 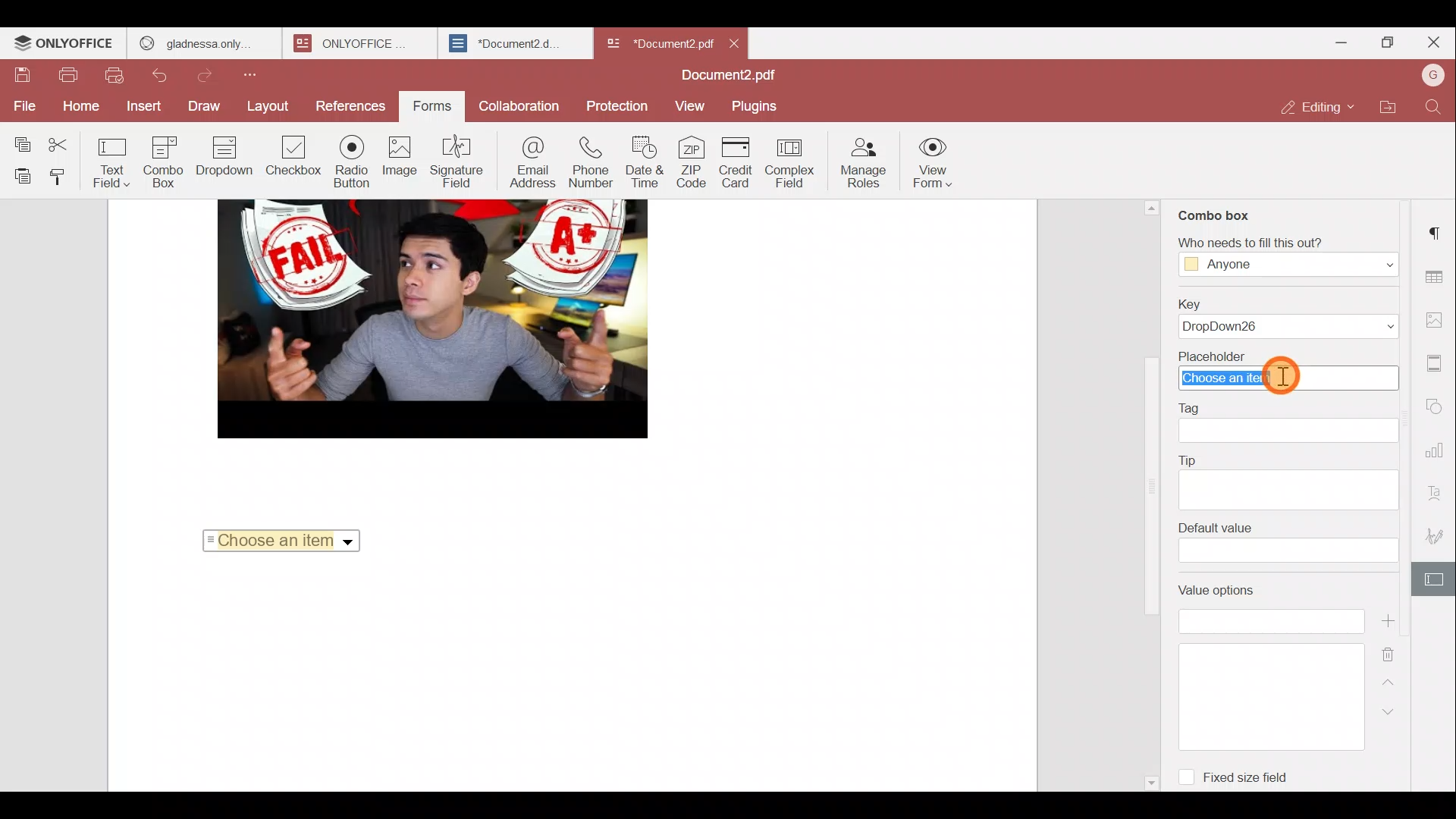 I want to click on Cut, so click(x=70, y=142).